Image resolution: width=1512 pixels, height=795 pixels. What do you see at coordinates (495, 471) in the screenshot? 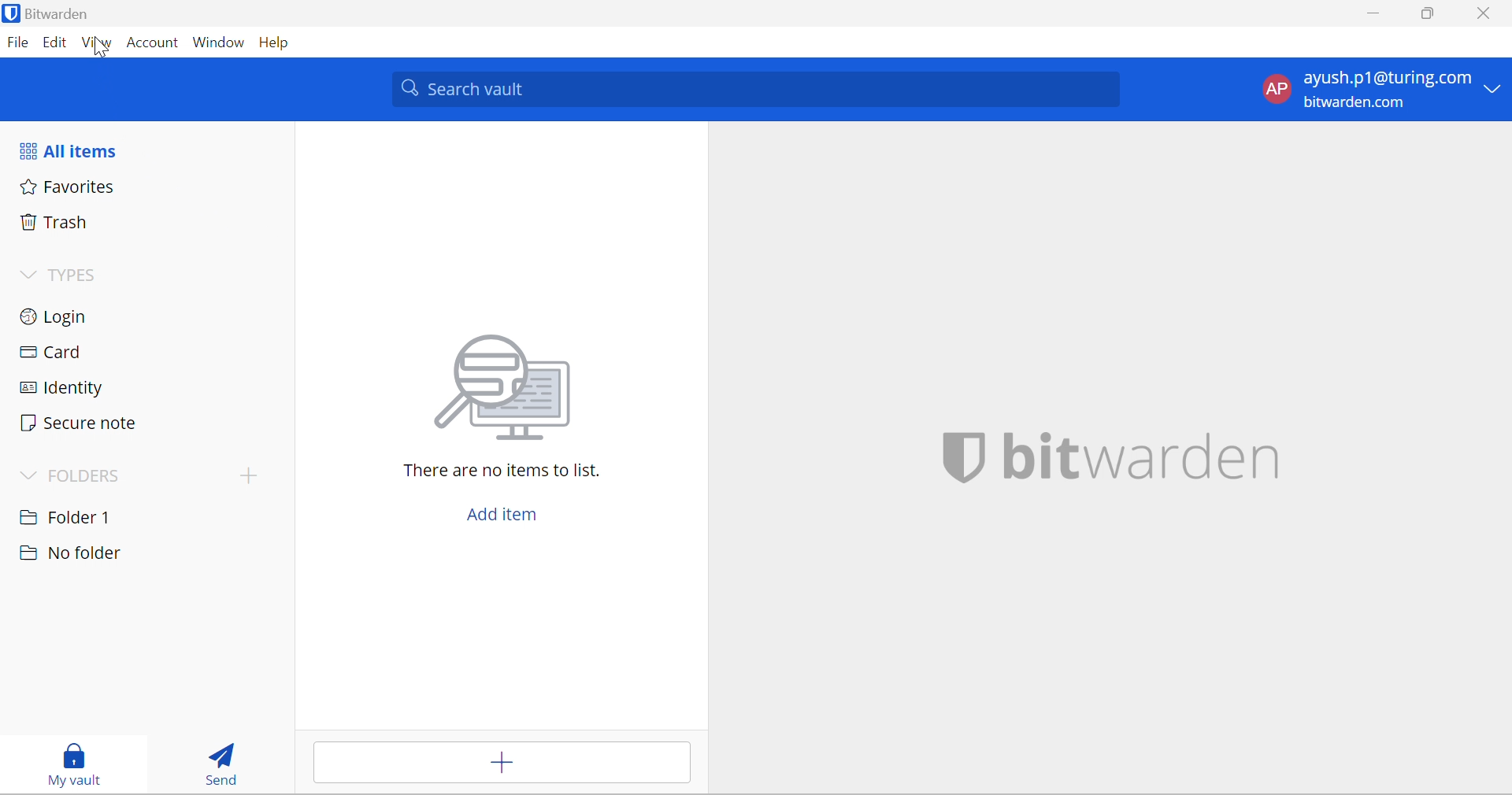
I see `There are no items to list.` at bounding box center [495, 471].